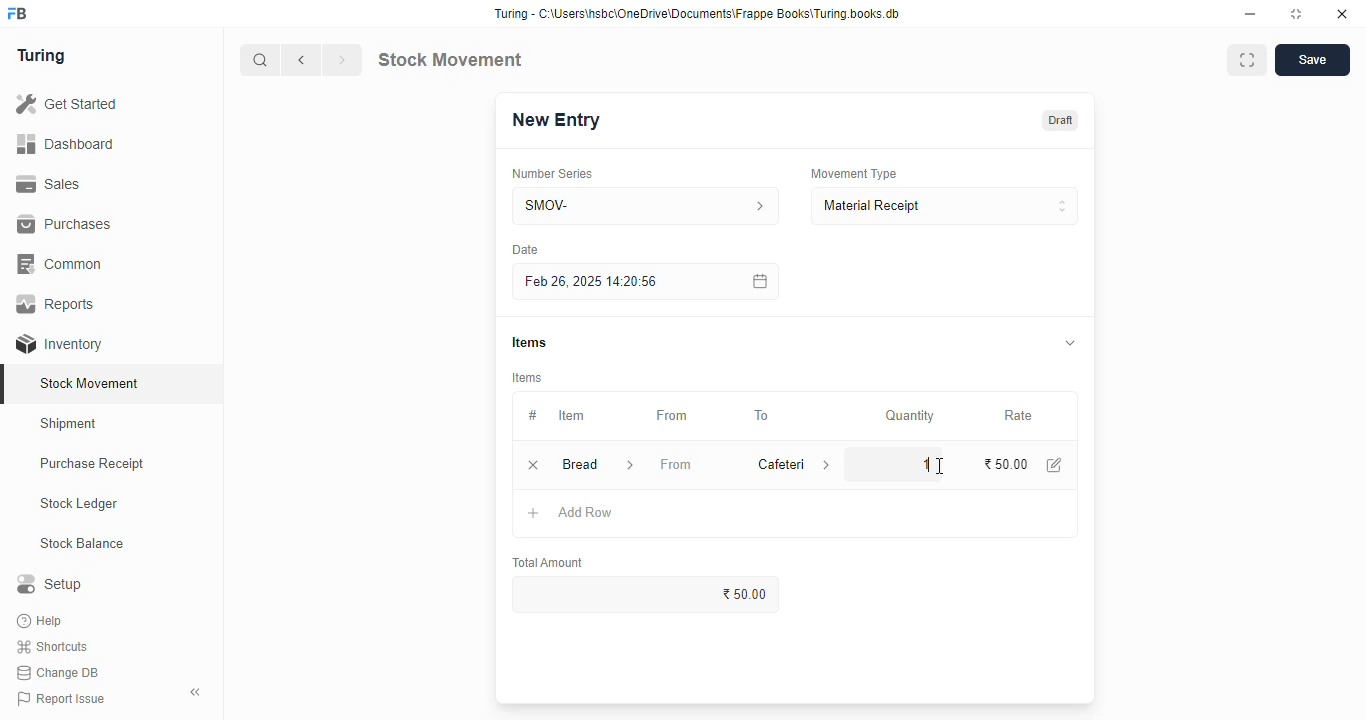 This screenshot has height=720, width=1366. What do you see at coordinates (763, 416) in the screenshot?
I see `to` at bounding box center [763, 416].